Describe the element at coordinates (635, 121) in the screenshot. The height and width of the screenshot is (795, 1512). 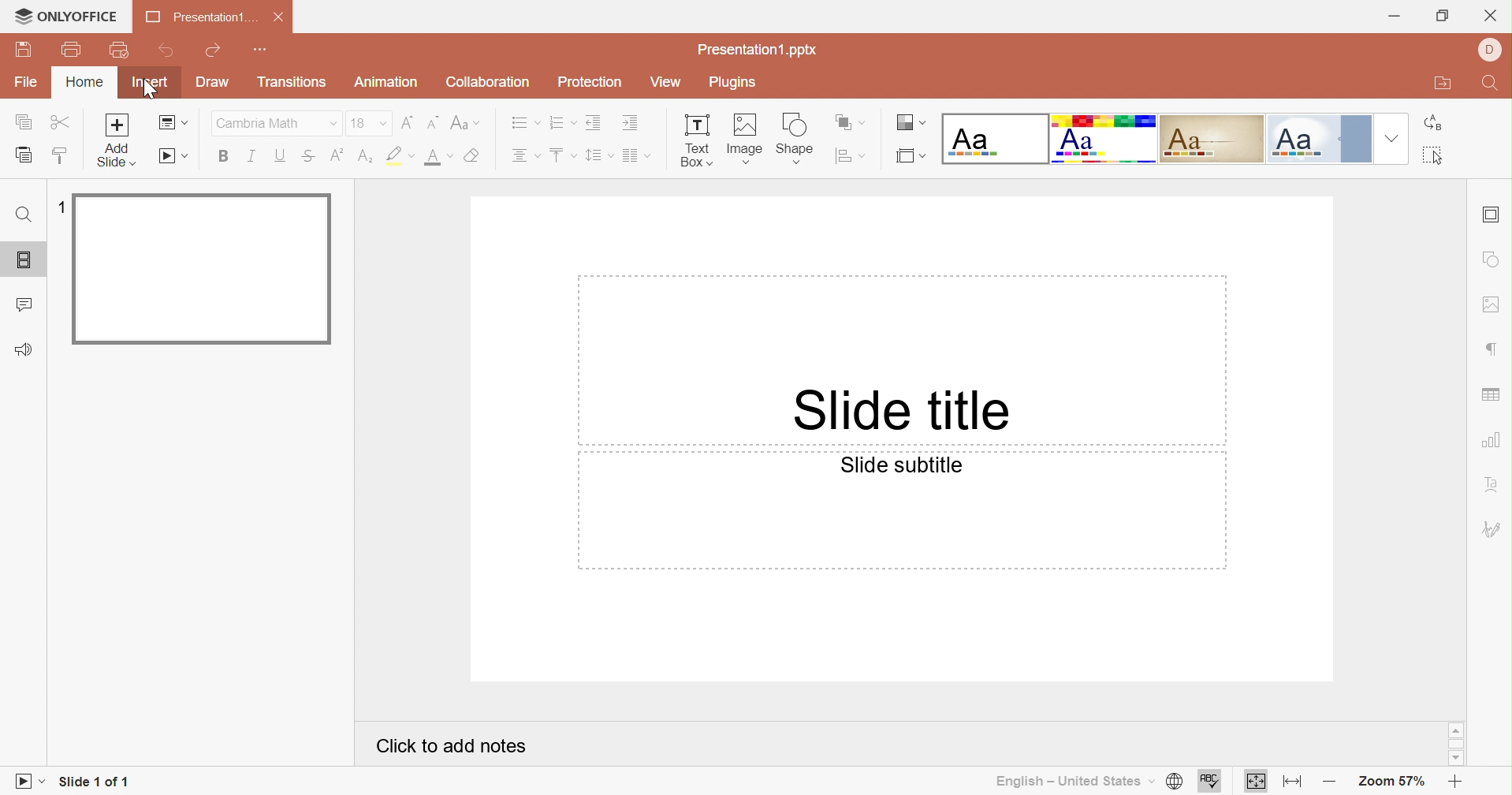
I see `Increase Indent` at that location.